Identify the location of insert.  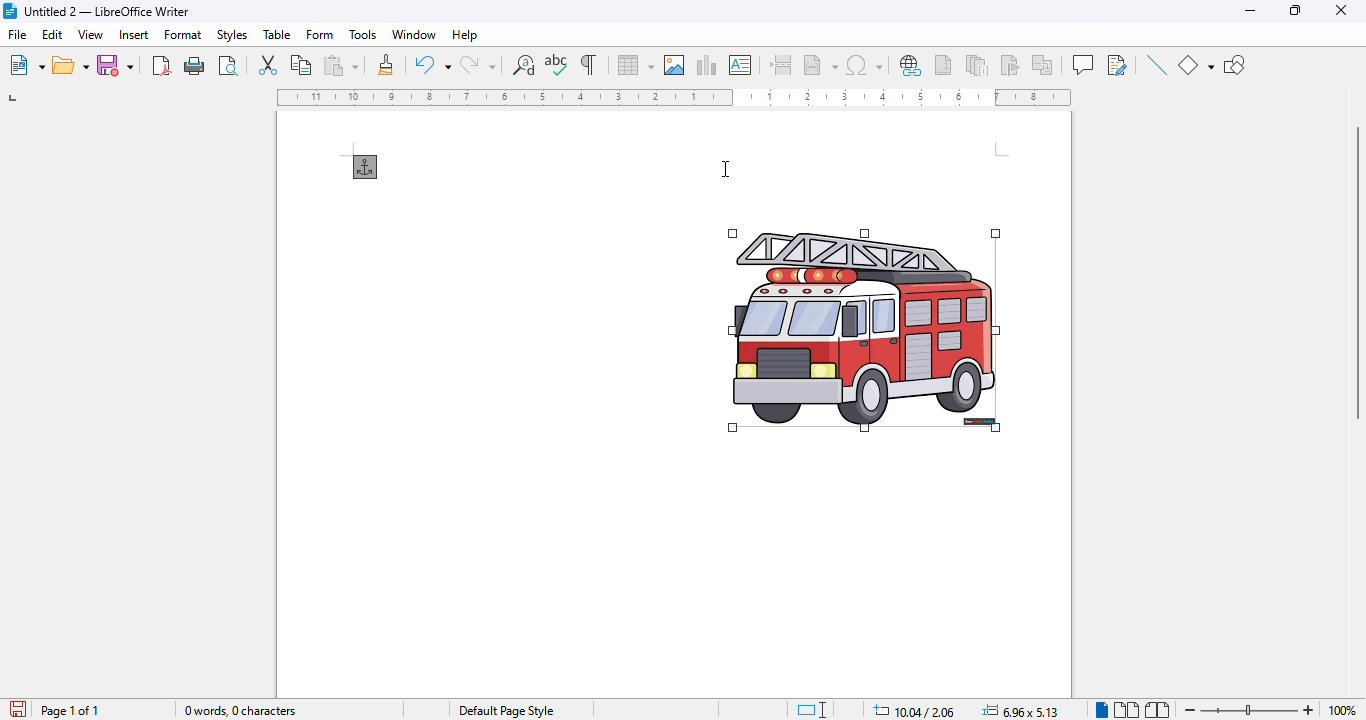
(135, 34).